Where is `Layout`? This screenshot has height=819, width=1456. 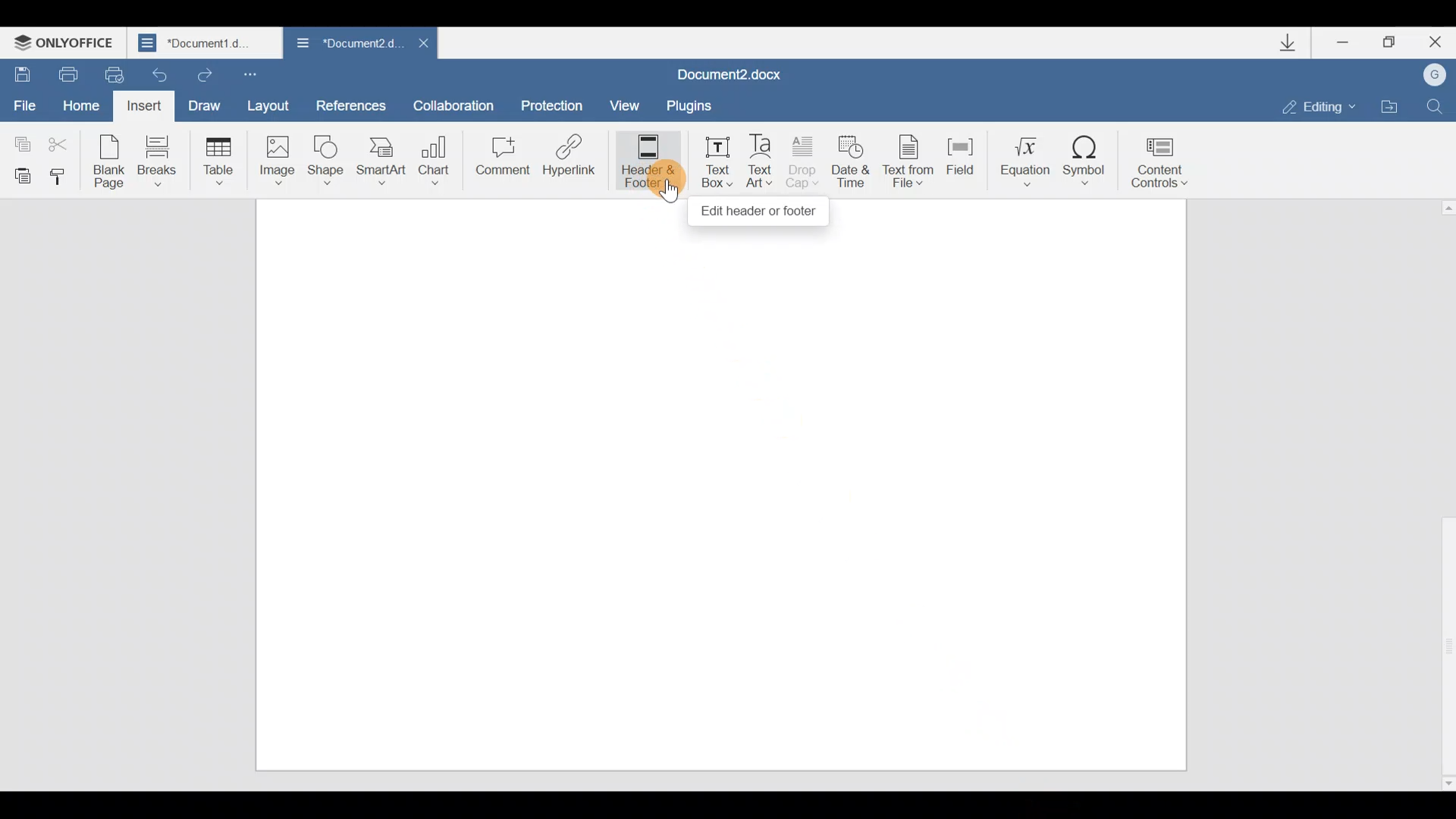 Layout is located at coordinates (273, 105).